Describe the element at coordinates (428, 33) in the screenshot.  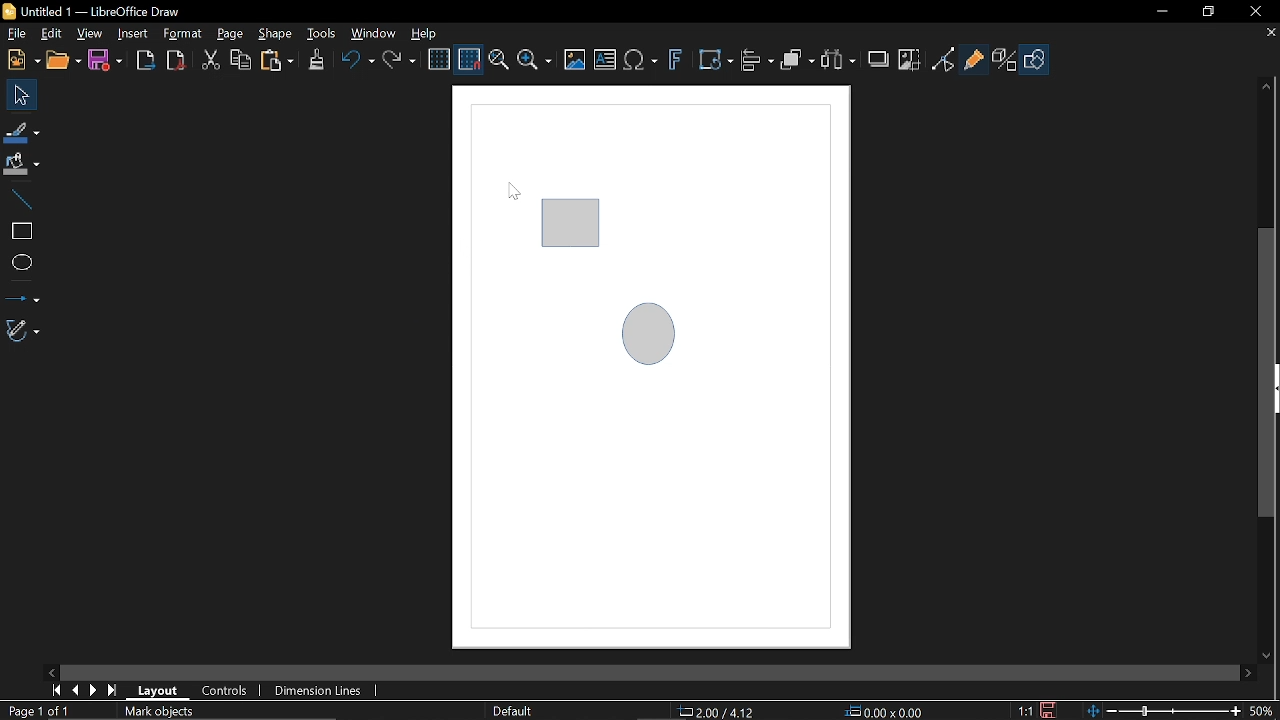
I see `Help` at that location.